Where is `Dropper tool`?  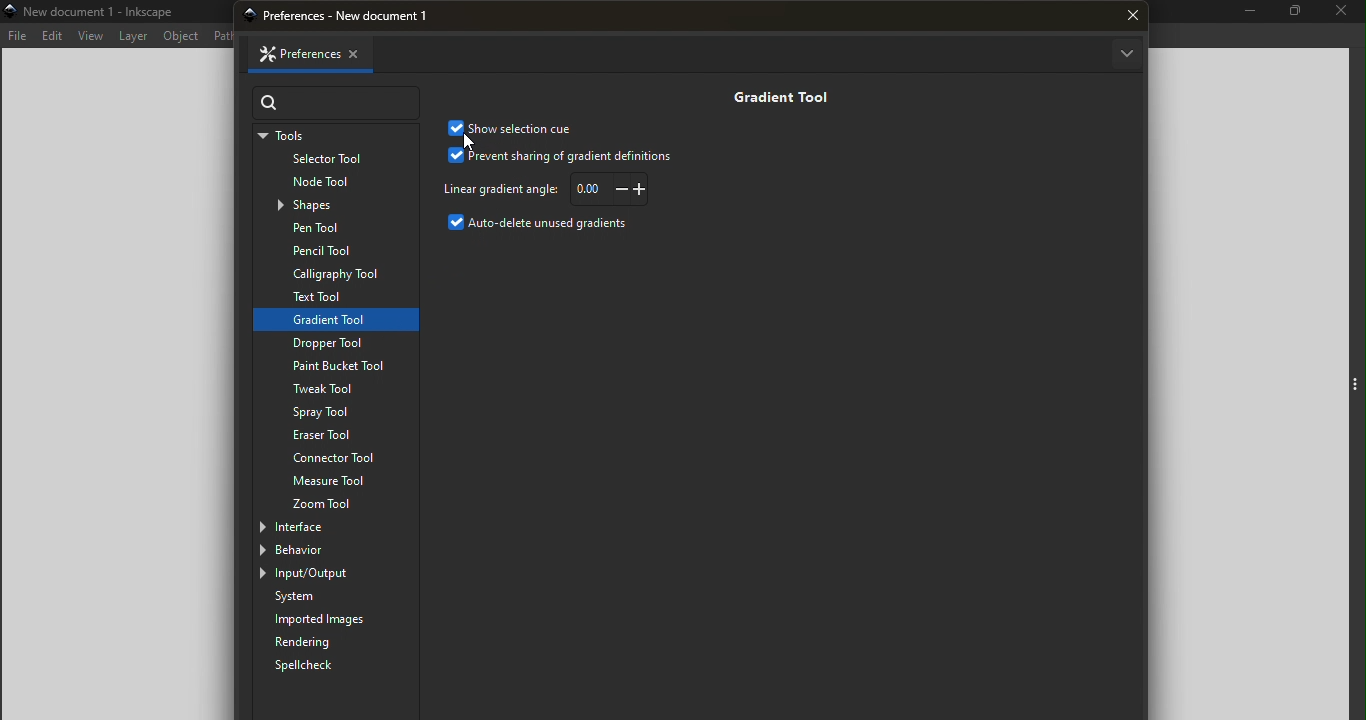
Dropper tool is located at coordinates (337, 342).